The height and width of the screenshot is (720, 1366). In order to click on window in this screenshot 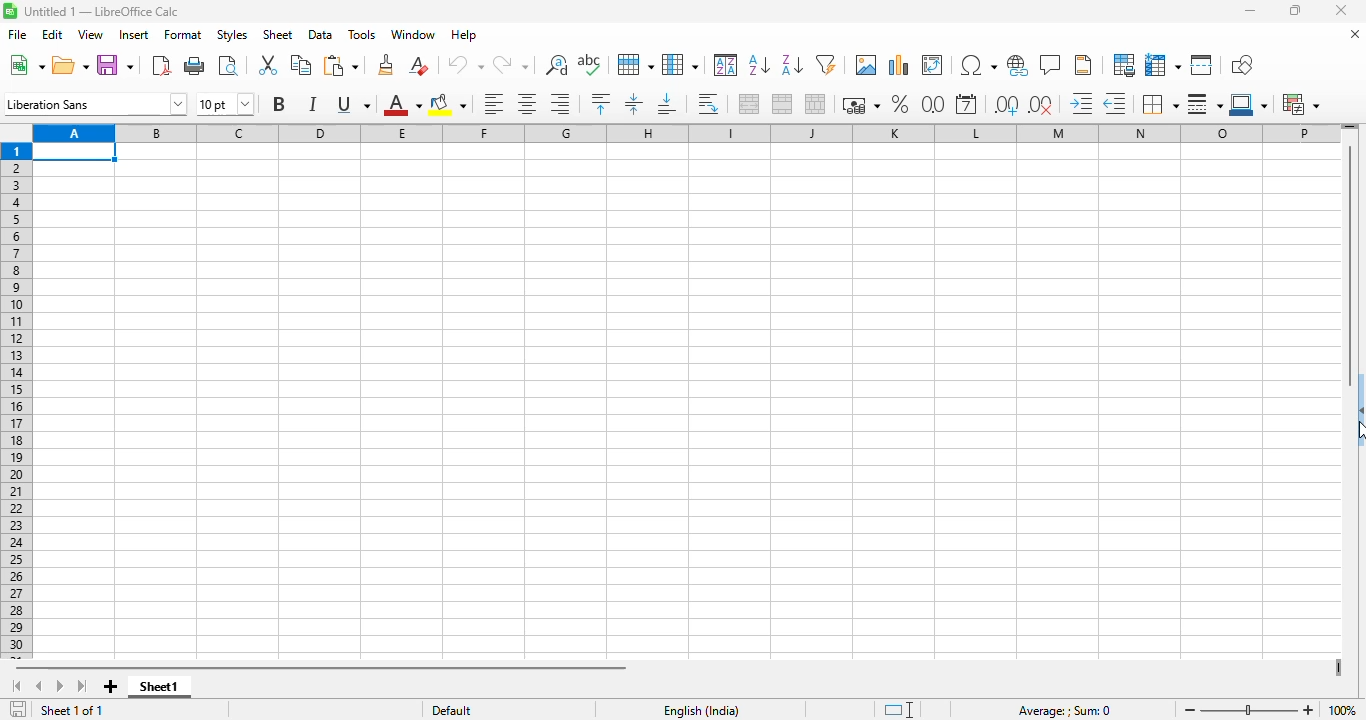, I will do `click(413, 34)`.